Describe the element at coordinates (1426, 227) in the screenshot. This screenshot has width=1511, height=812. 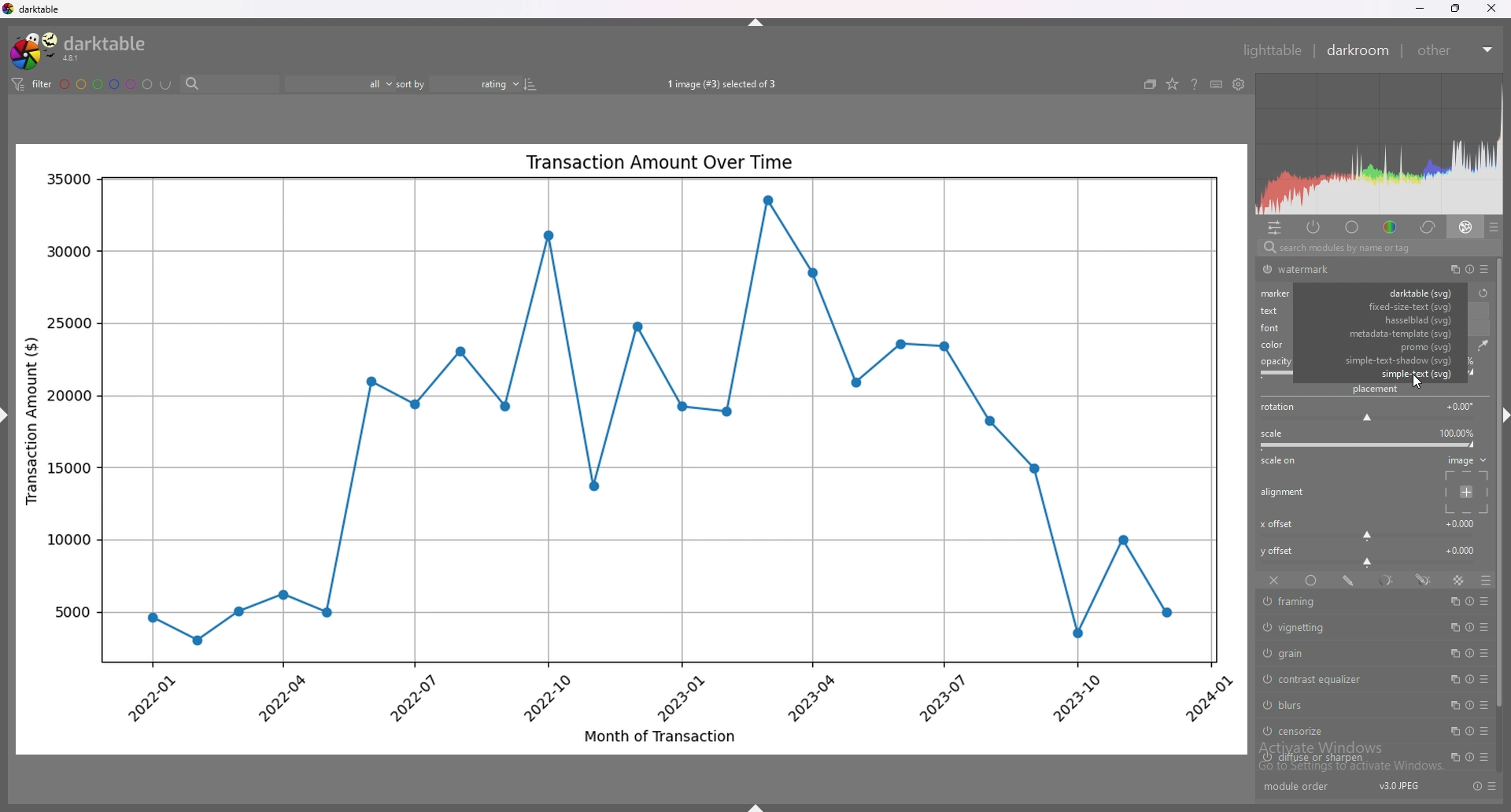
I see `correct` at that location.